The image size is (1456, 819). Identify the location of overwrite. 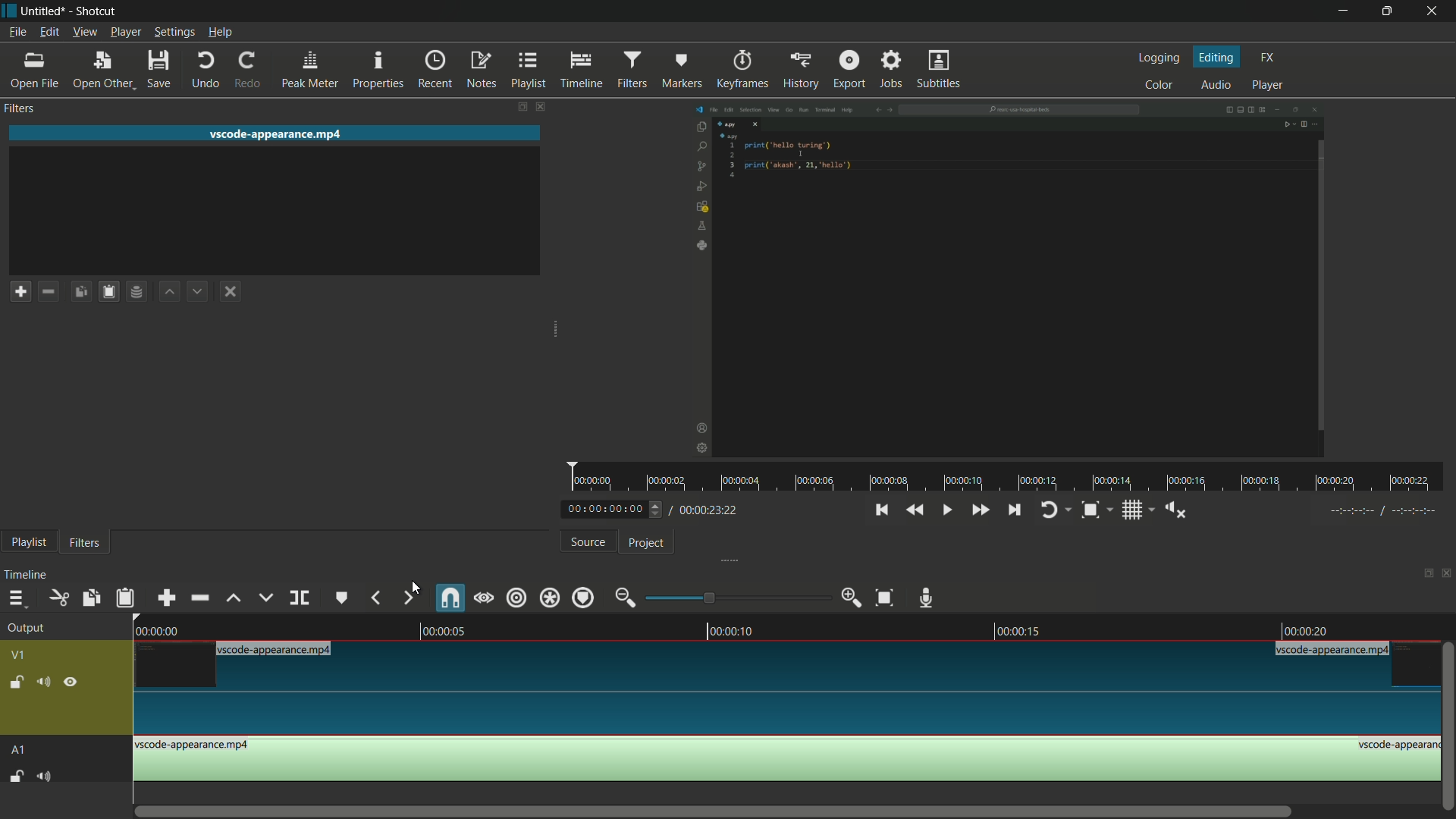
(265, 598).